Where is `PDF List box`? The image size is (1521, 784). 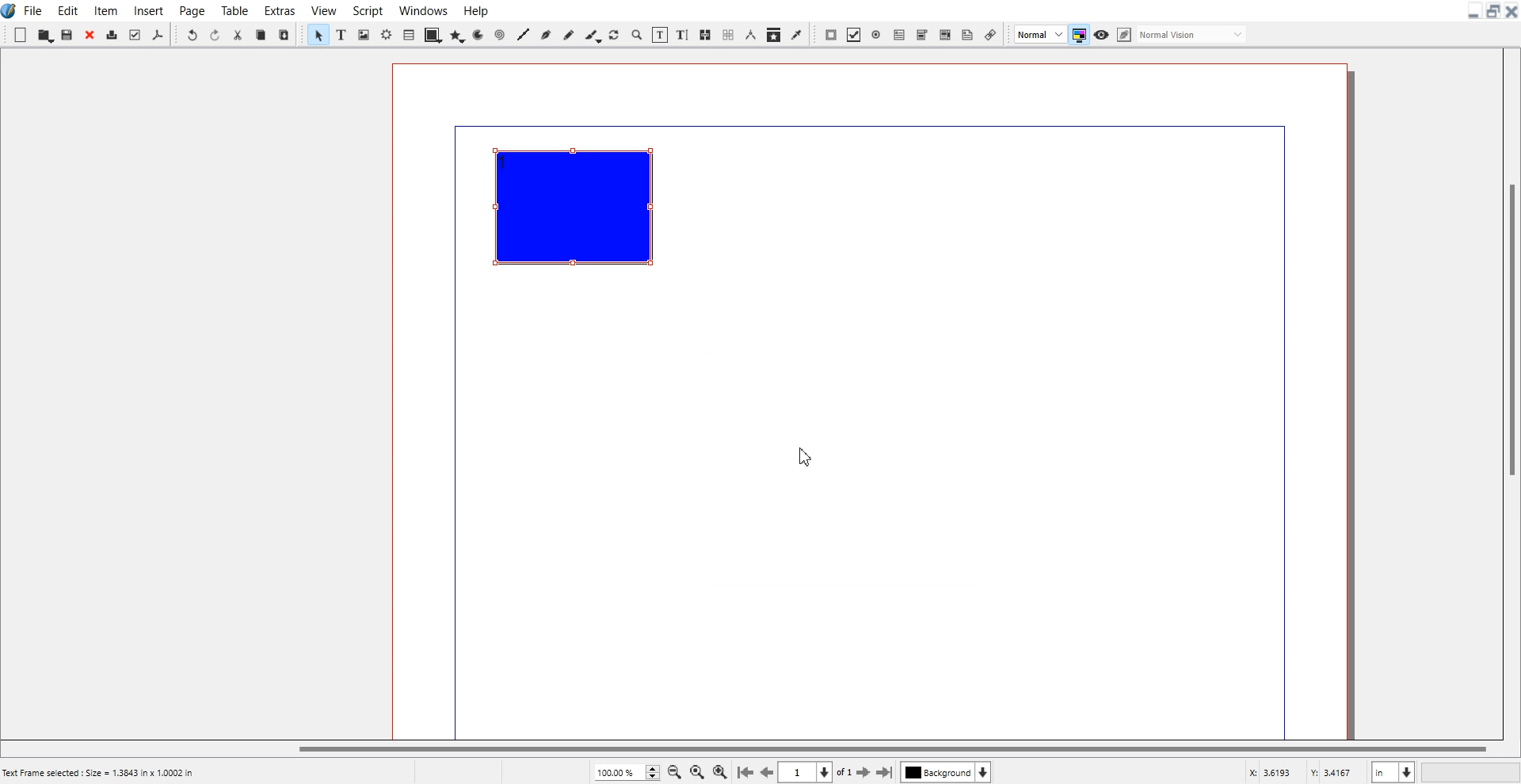 PDF List box is located at coordinates (945, 34).